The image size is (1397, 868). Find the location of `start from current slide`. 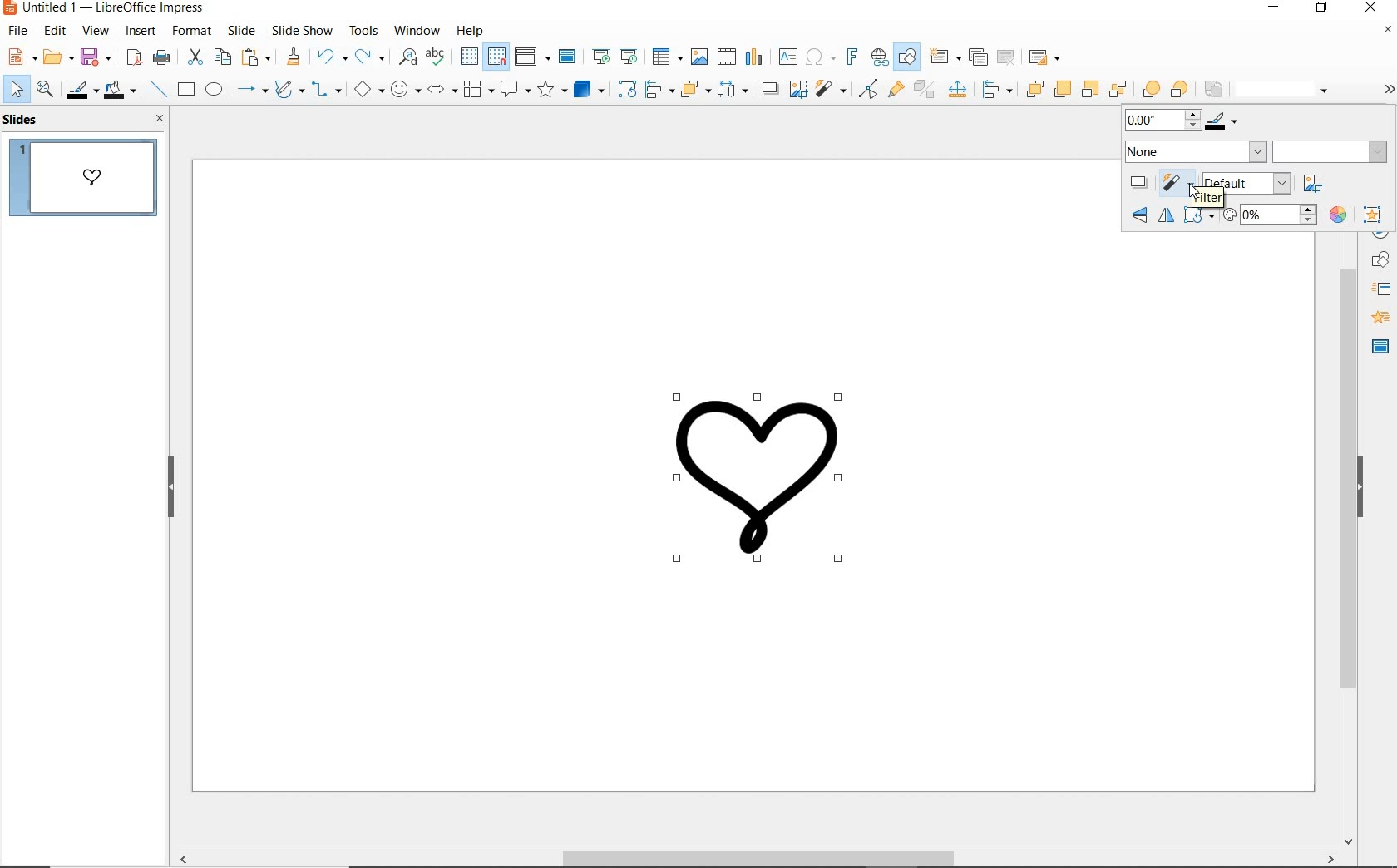

start from current slide is located at coordinates (629, 57).